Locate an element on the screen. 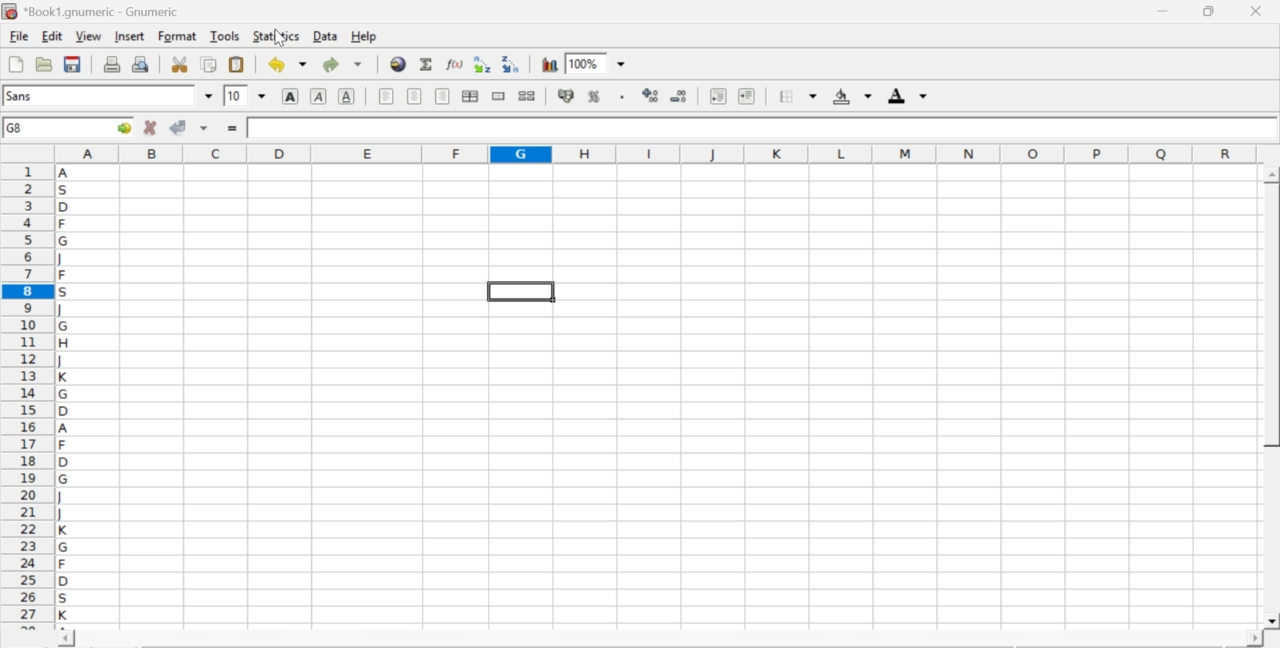 Image resolution: width=1280 pixels, height=648 pixels. undo is located at coordinates (286, 65).